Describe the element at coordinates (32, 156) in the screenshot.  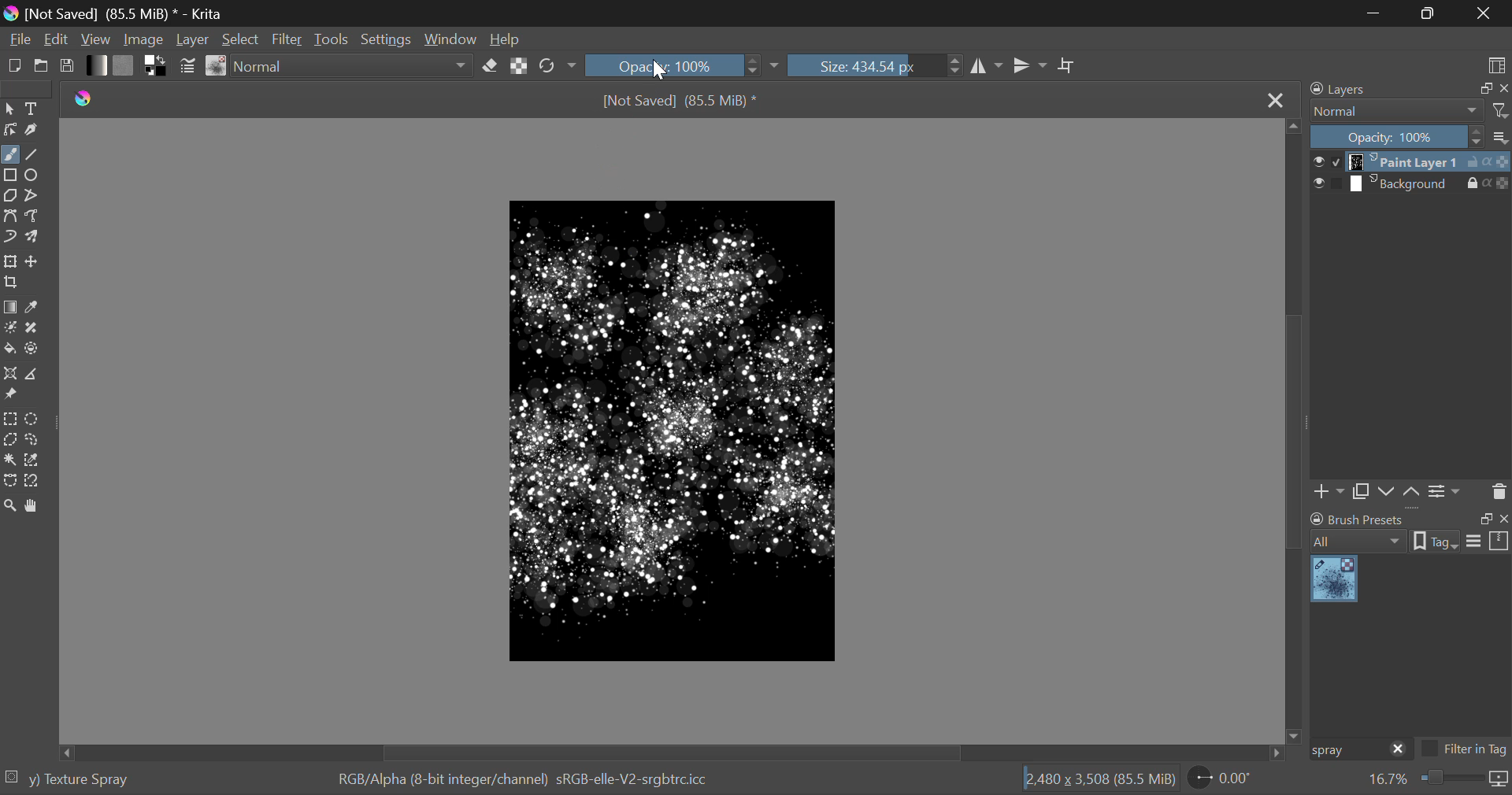
I see `Line` at that location.